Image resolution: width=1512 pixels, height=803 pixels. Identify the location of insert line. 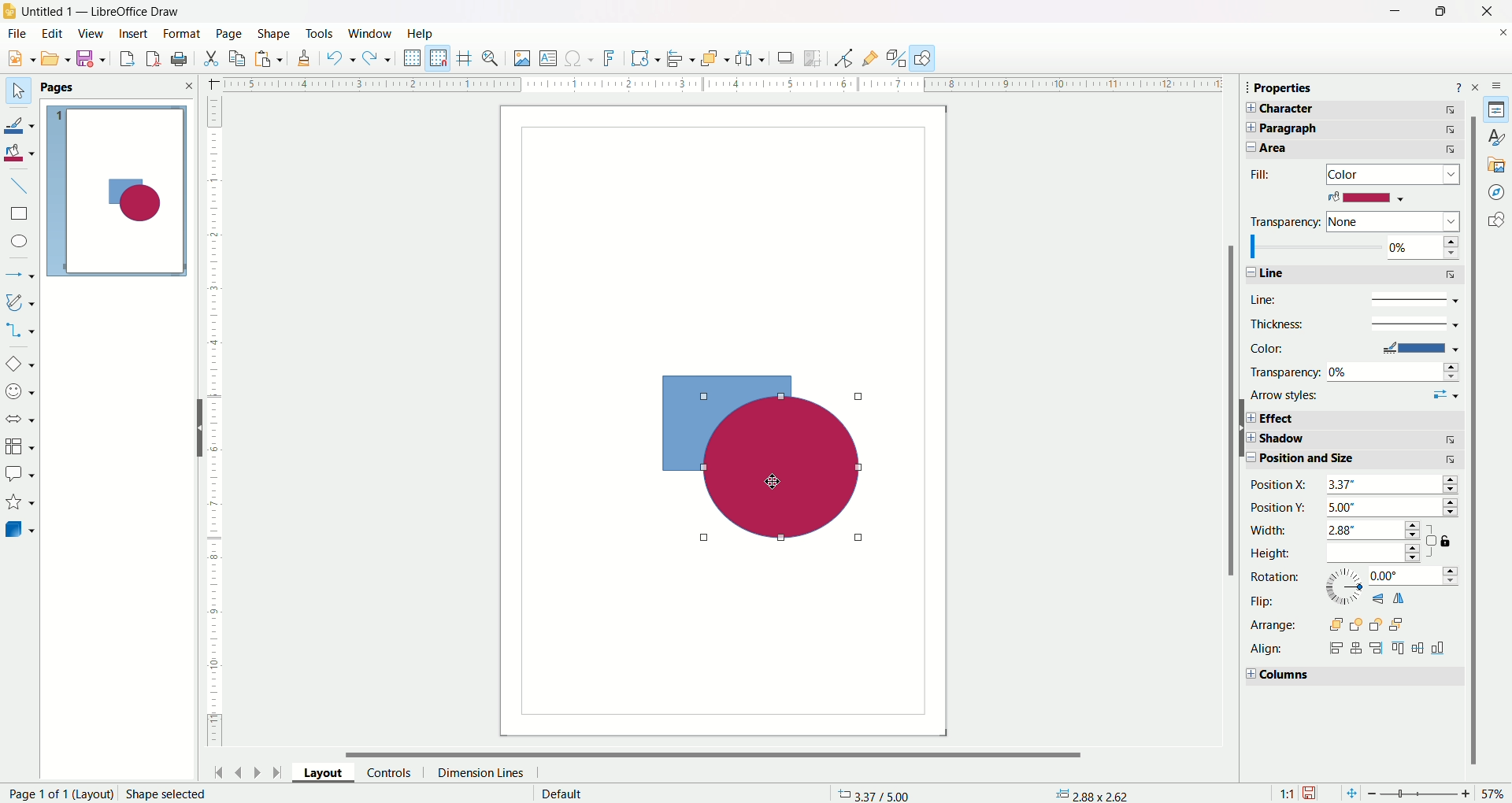
(25, 186).